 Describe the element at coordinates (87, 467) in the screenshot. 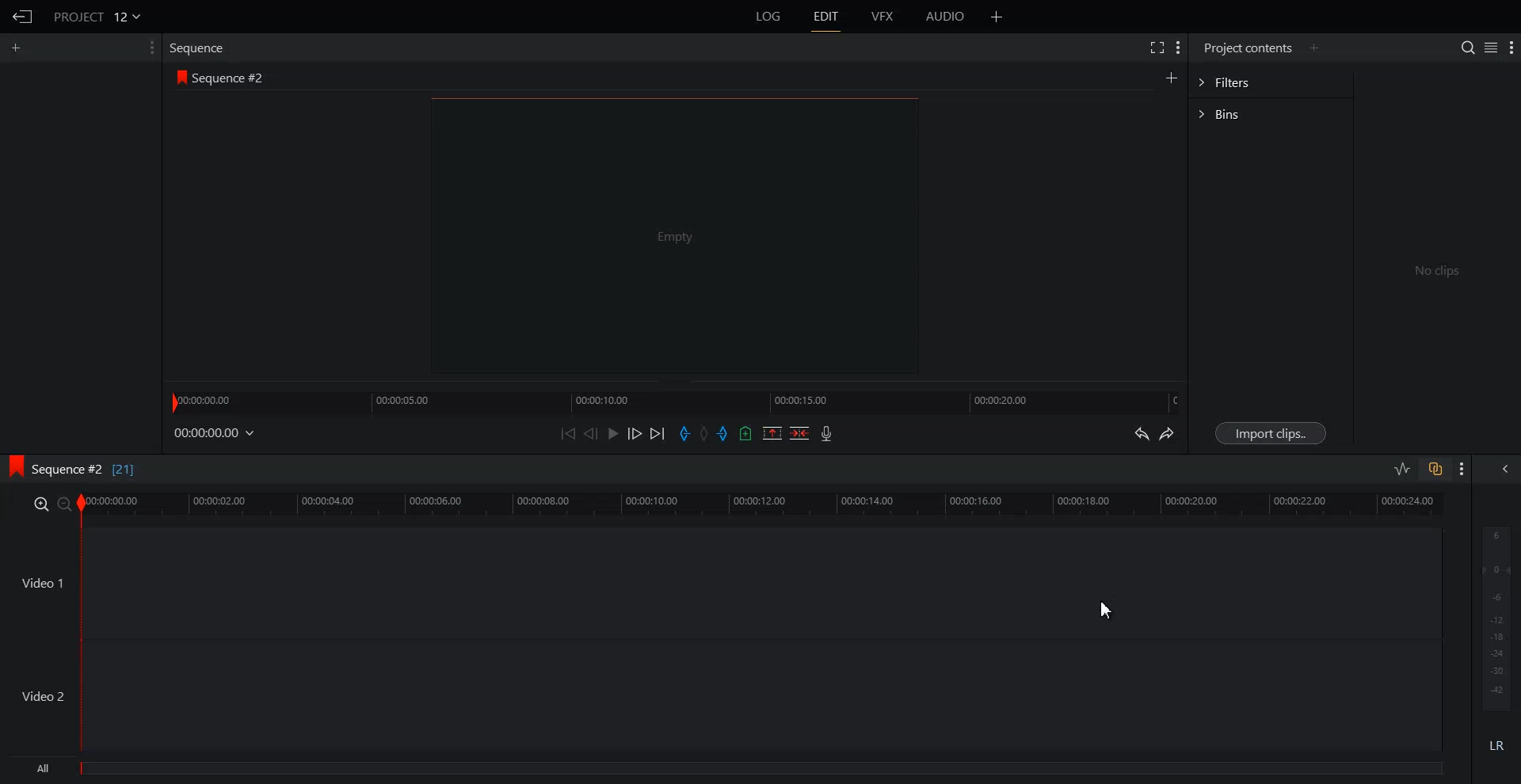

I see `Sequence #2 [21]` at that location.